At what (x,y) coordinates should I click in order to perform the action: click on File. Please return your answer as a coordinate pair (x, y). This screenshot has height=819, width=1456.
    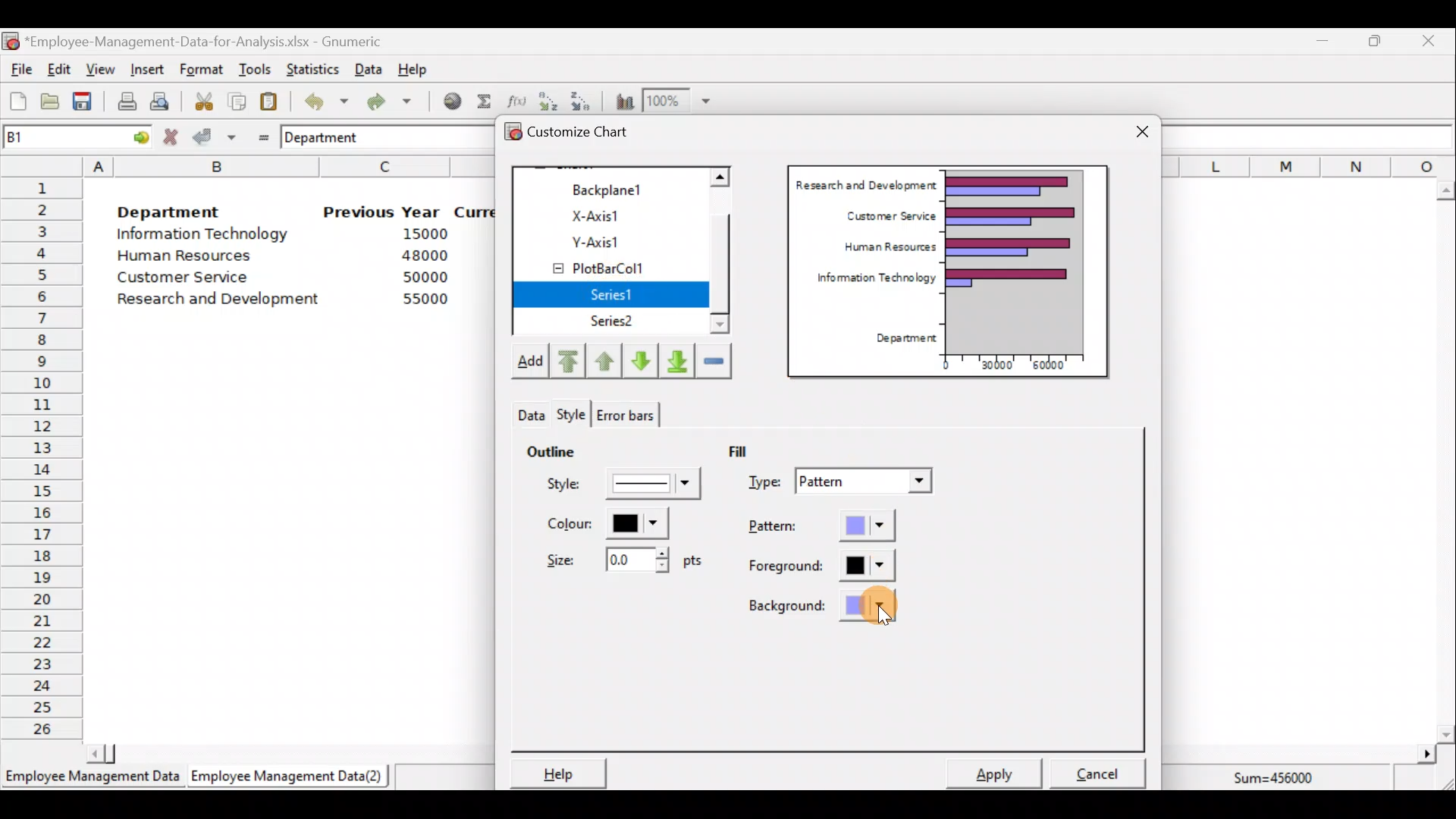
    Looking at the image, I should click on (19, 70).